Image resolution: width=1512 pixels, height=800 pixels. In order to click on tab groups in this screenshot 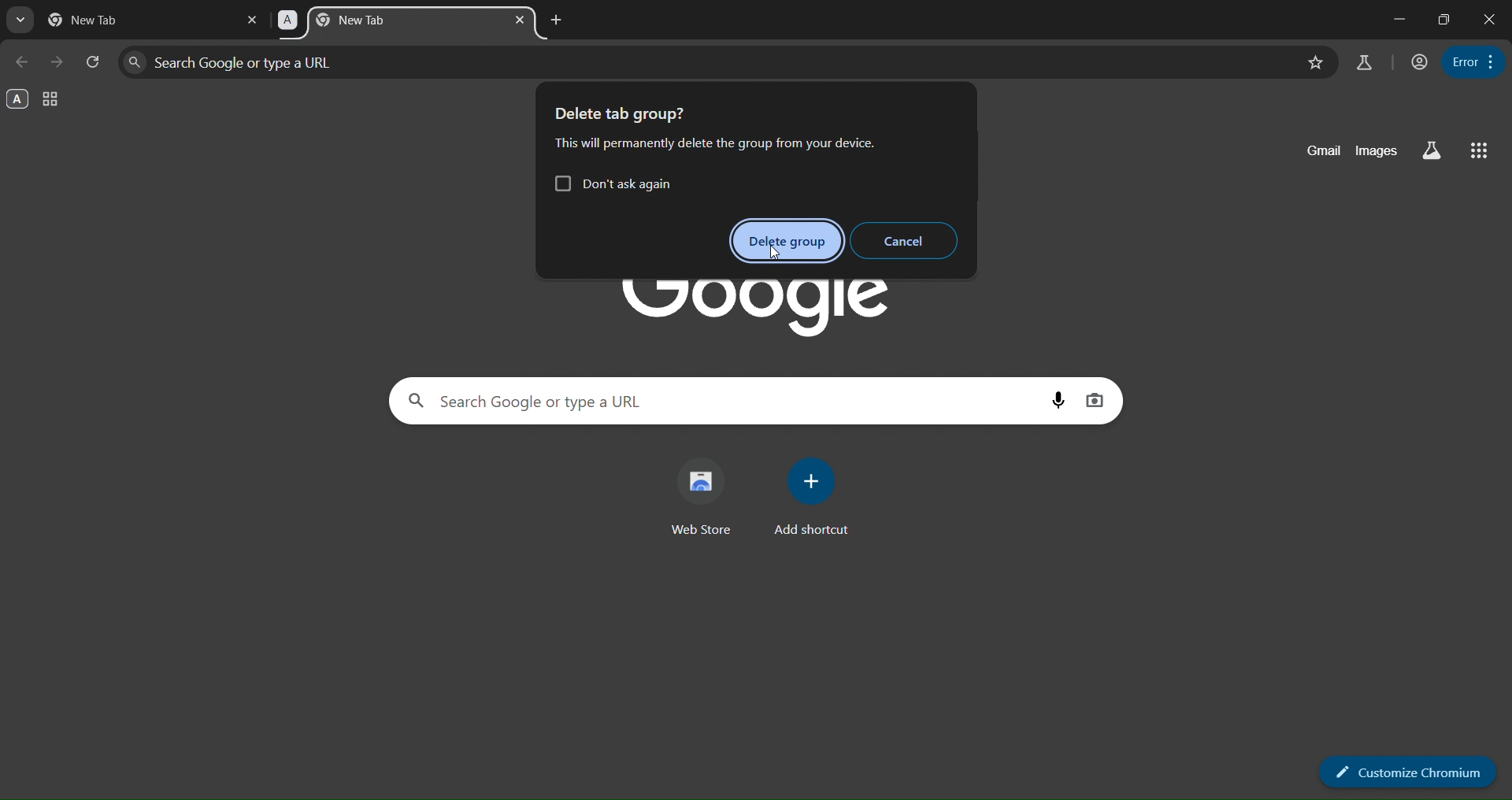, I will do `click(51, 96)`.